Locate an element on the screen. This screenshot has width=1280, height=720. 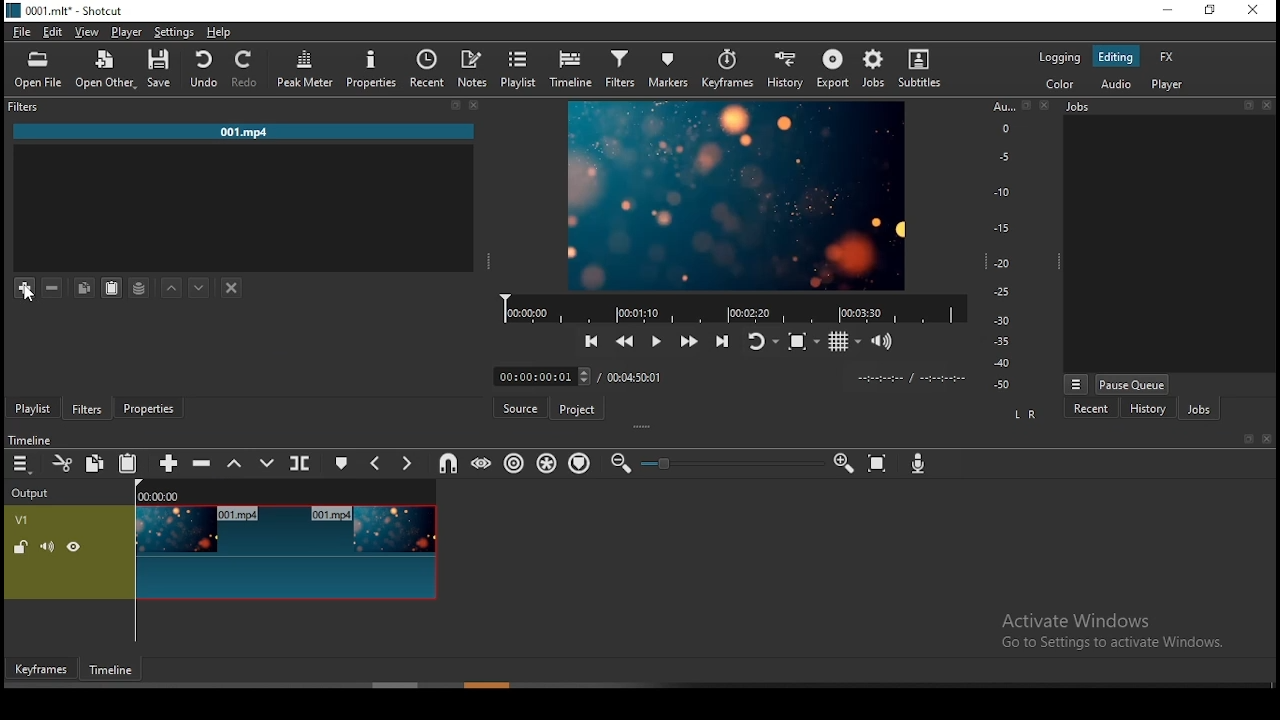
ripple delete is located at coordinates (200, 464).